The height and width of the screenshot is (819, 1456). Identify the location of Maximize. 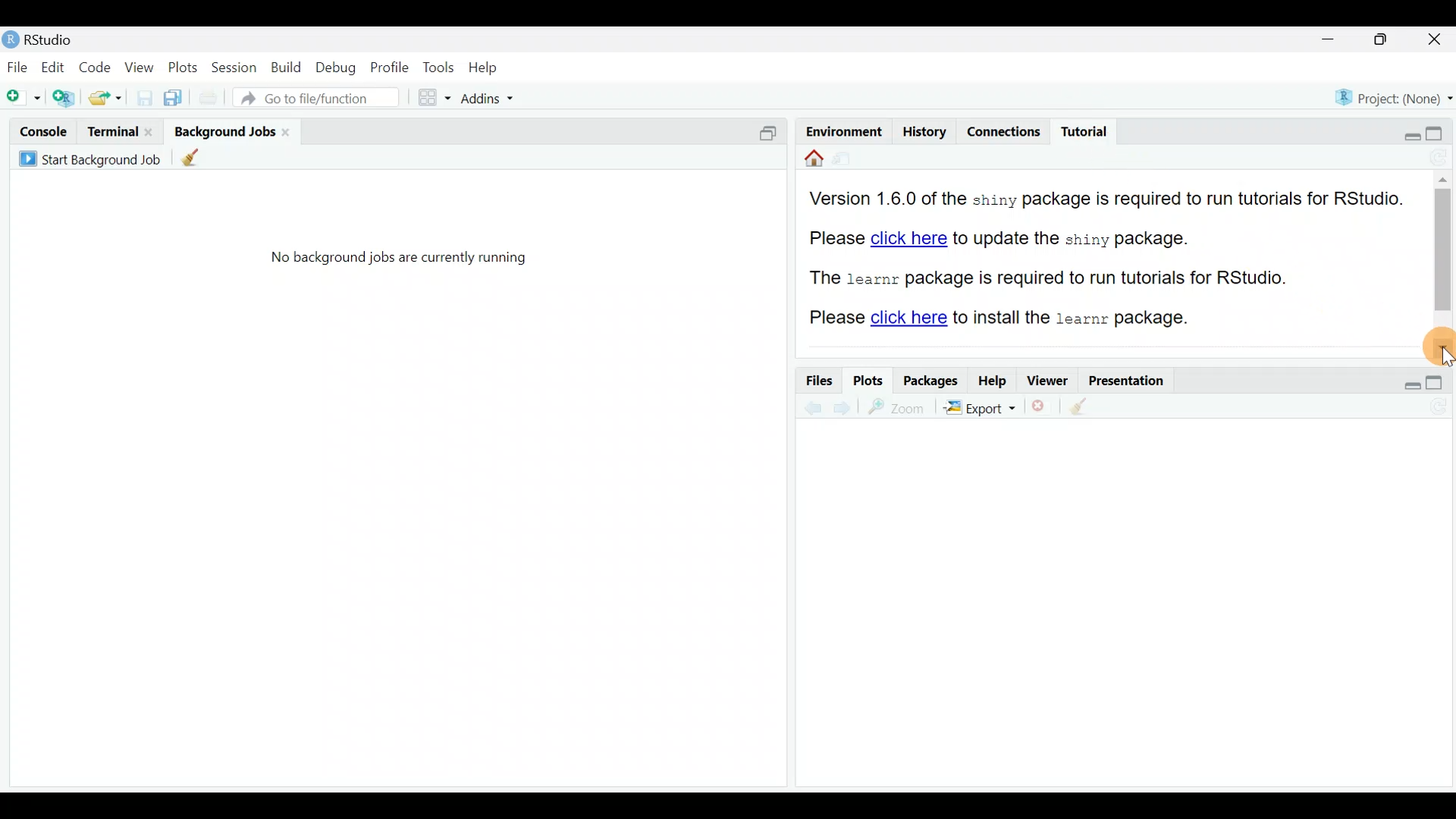
(1389, 41).